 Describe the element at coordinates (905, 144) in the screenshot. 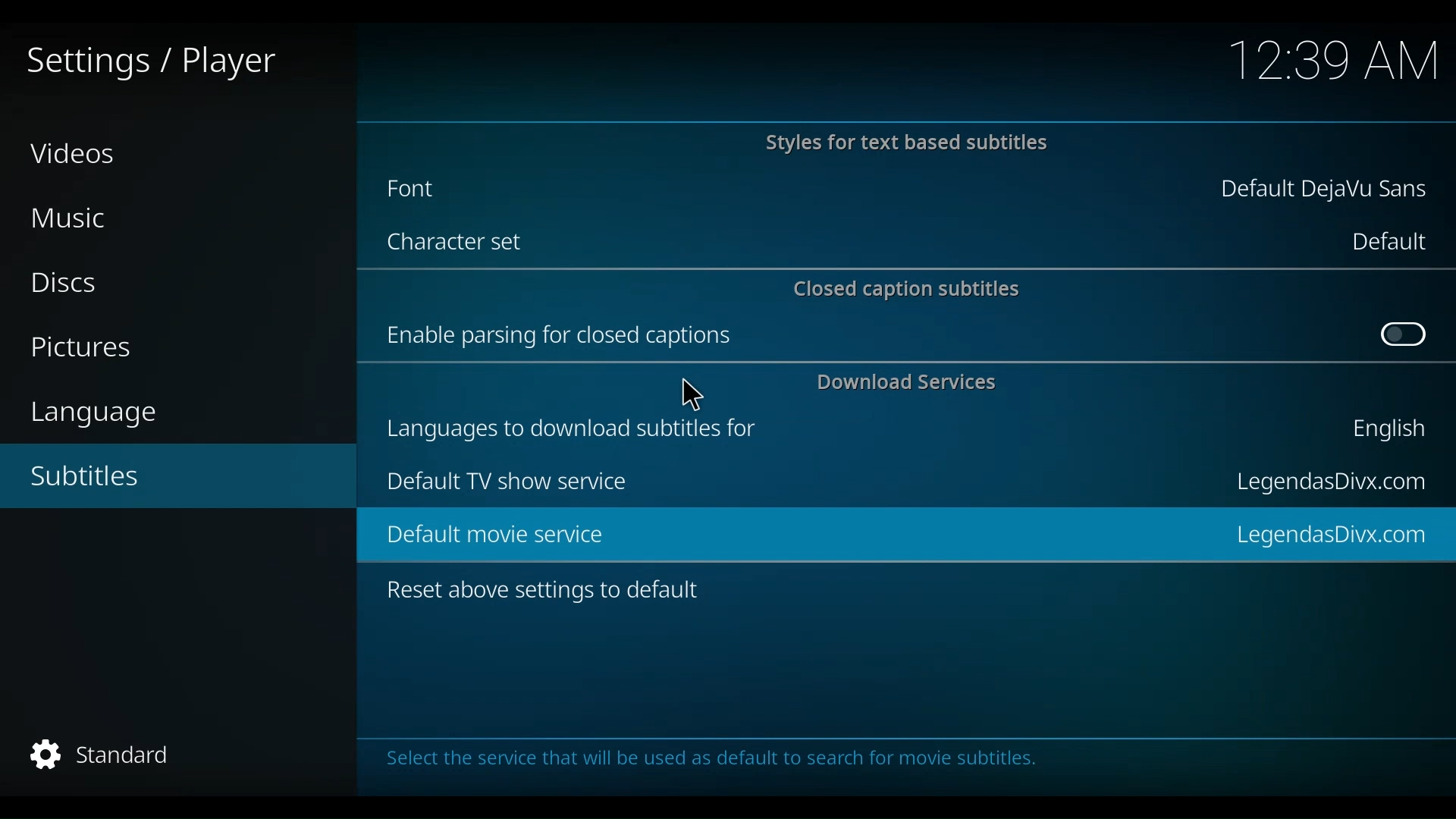

I see `Styles for text based subtitles` at that location.